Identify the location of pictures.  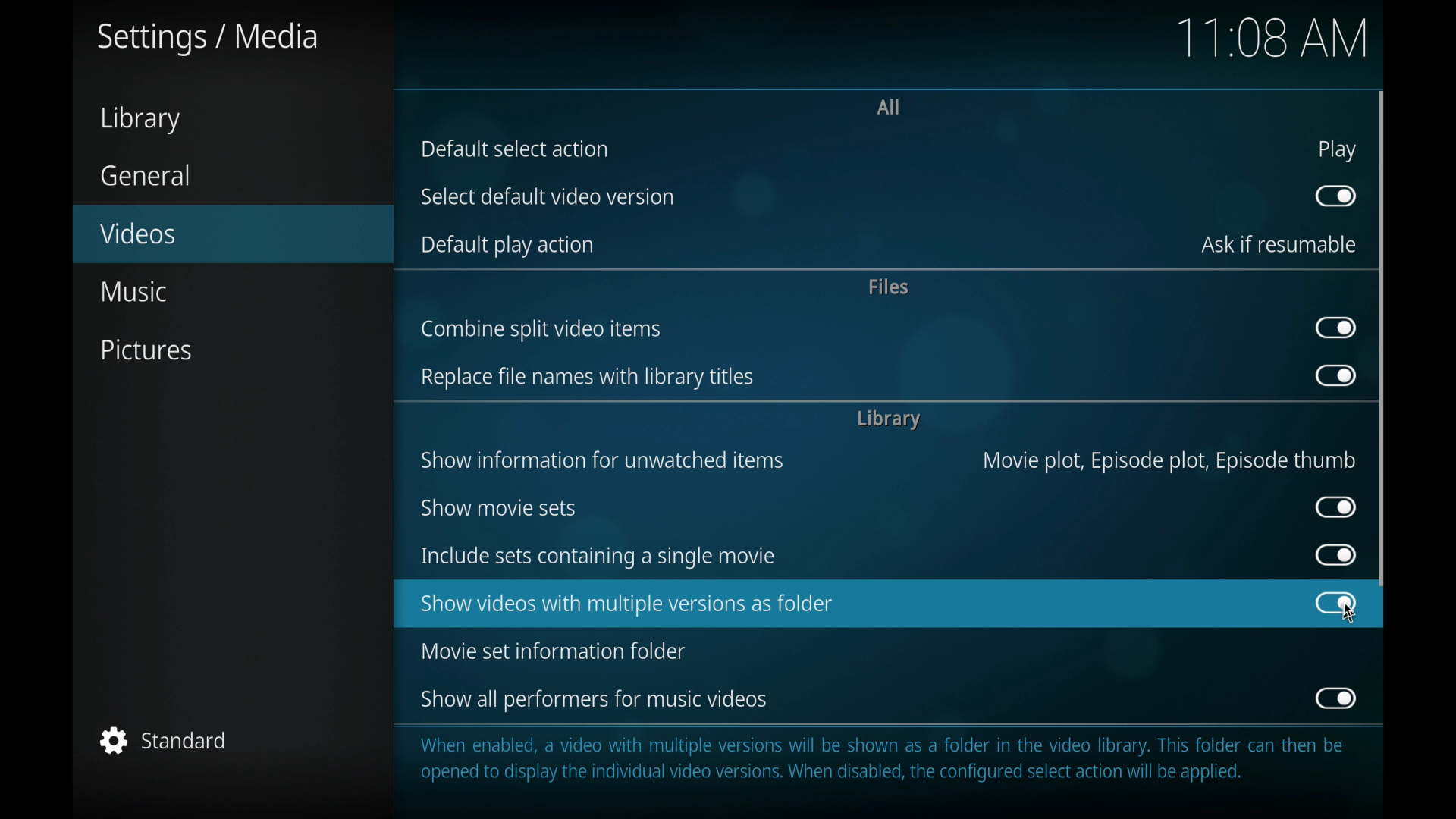
(145, 350).